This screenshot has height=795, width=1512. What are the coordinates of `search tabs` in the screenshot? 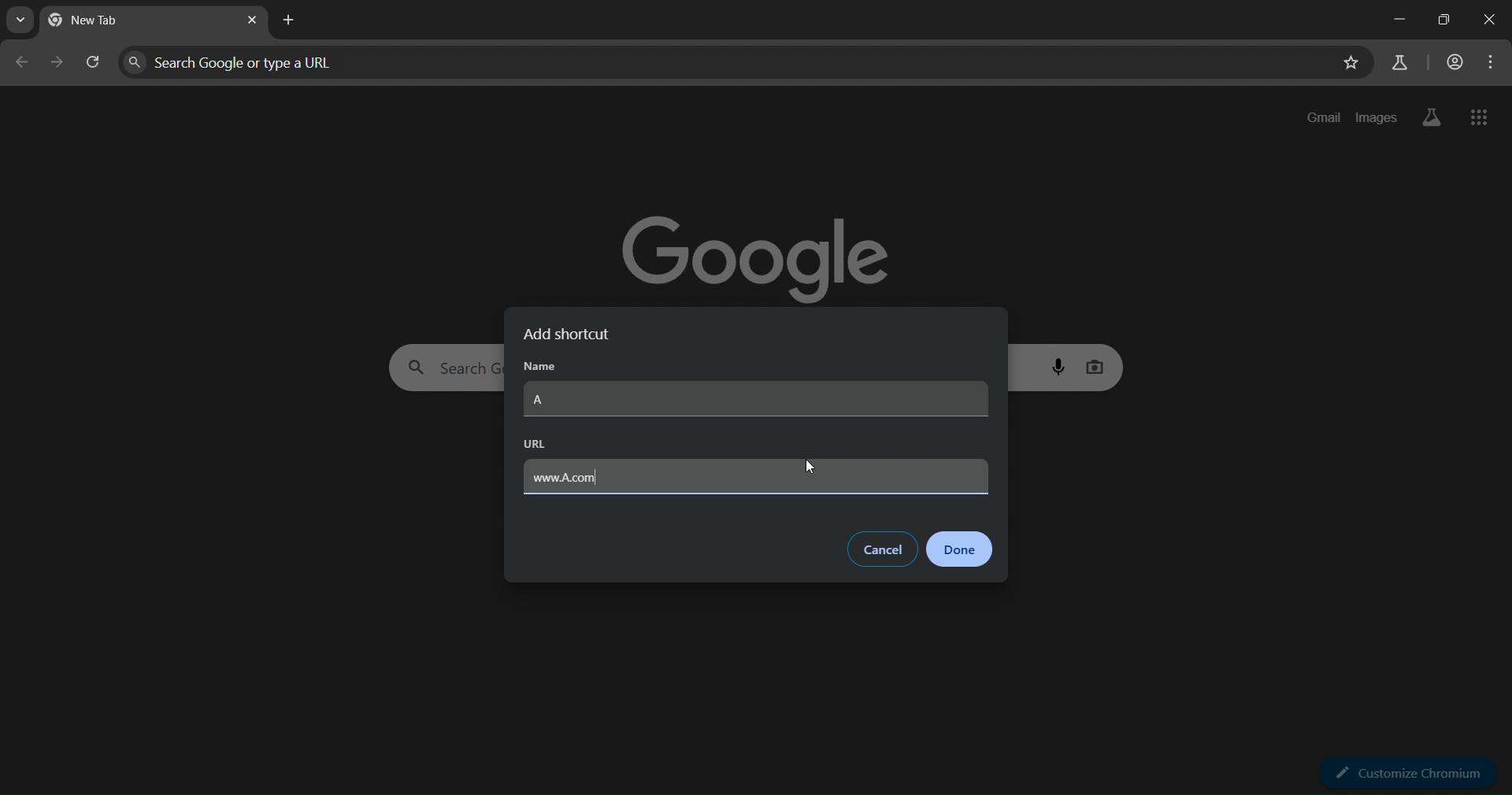 It's located at (24, 20).